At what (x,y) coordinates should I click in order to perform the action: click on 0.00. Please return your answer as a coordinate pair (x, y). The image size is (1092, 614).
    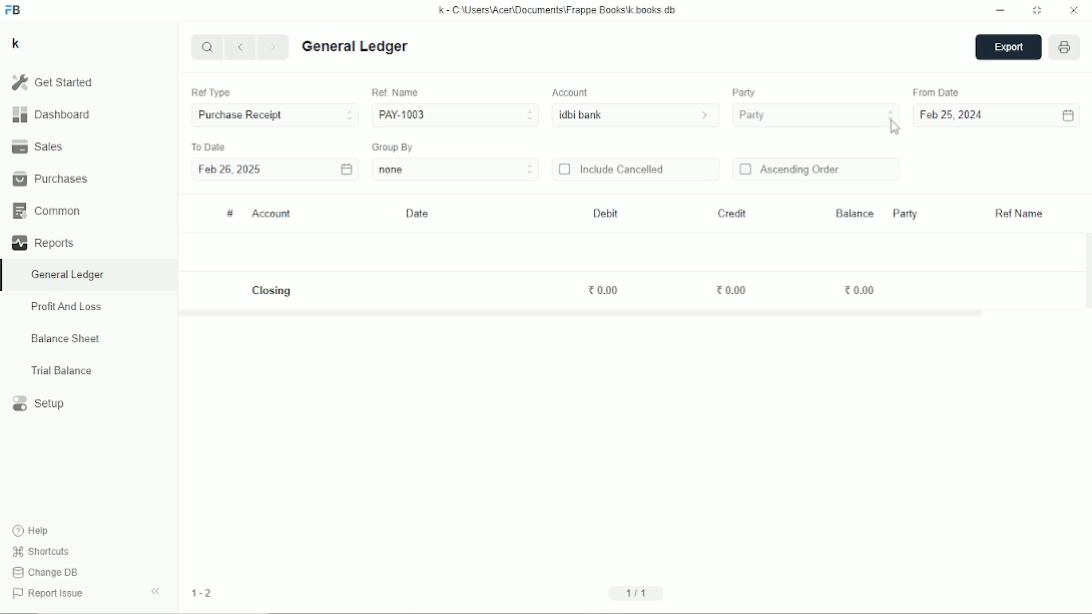
    Looking at the image, I should click on (605, 290).